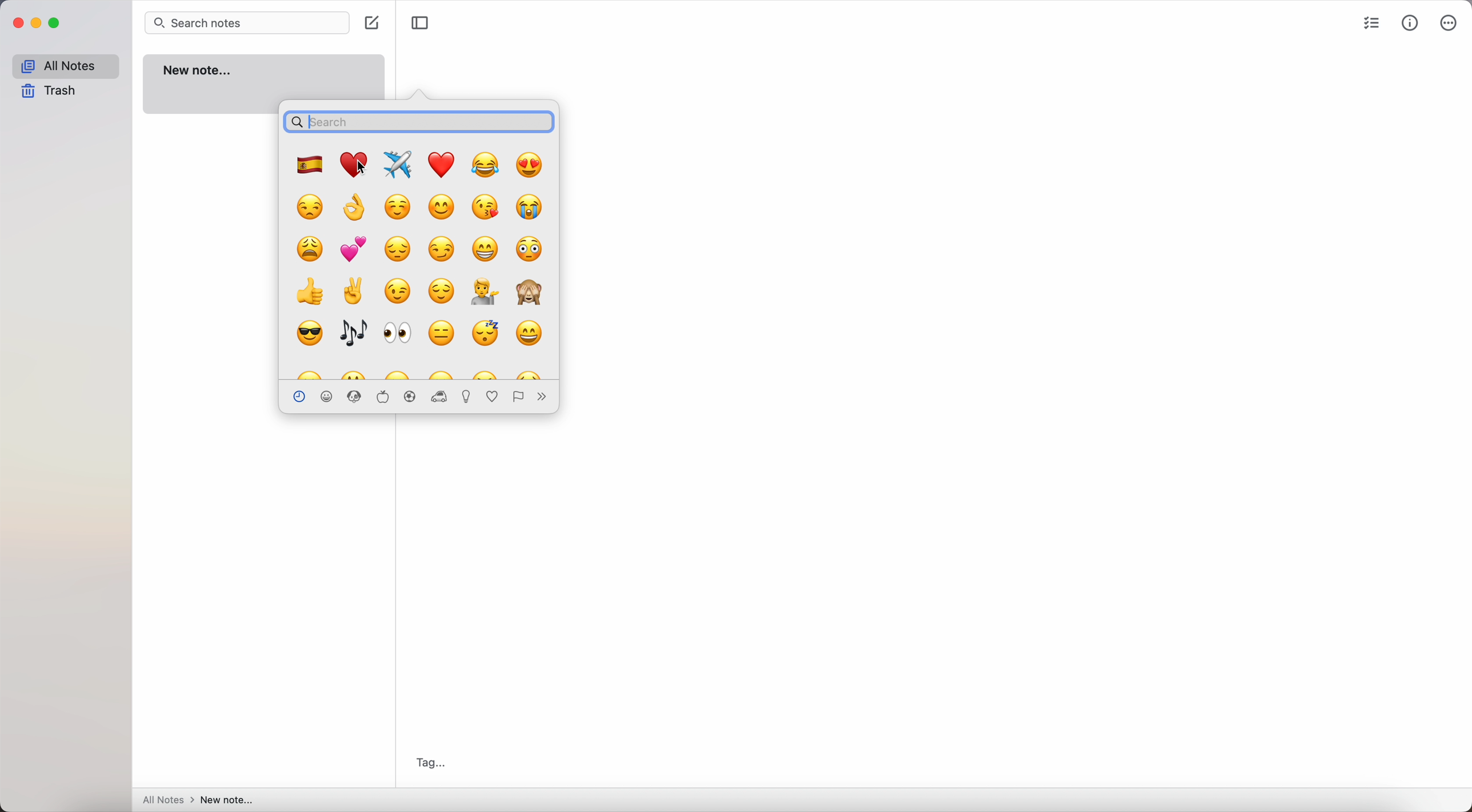  I want to click on emoji, so click(398, 207).